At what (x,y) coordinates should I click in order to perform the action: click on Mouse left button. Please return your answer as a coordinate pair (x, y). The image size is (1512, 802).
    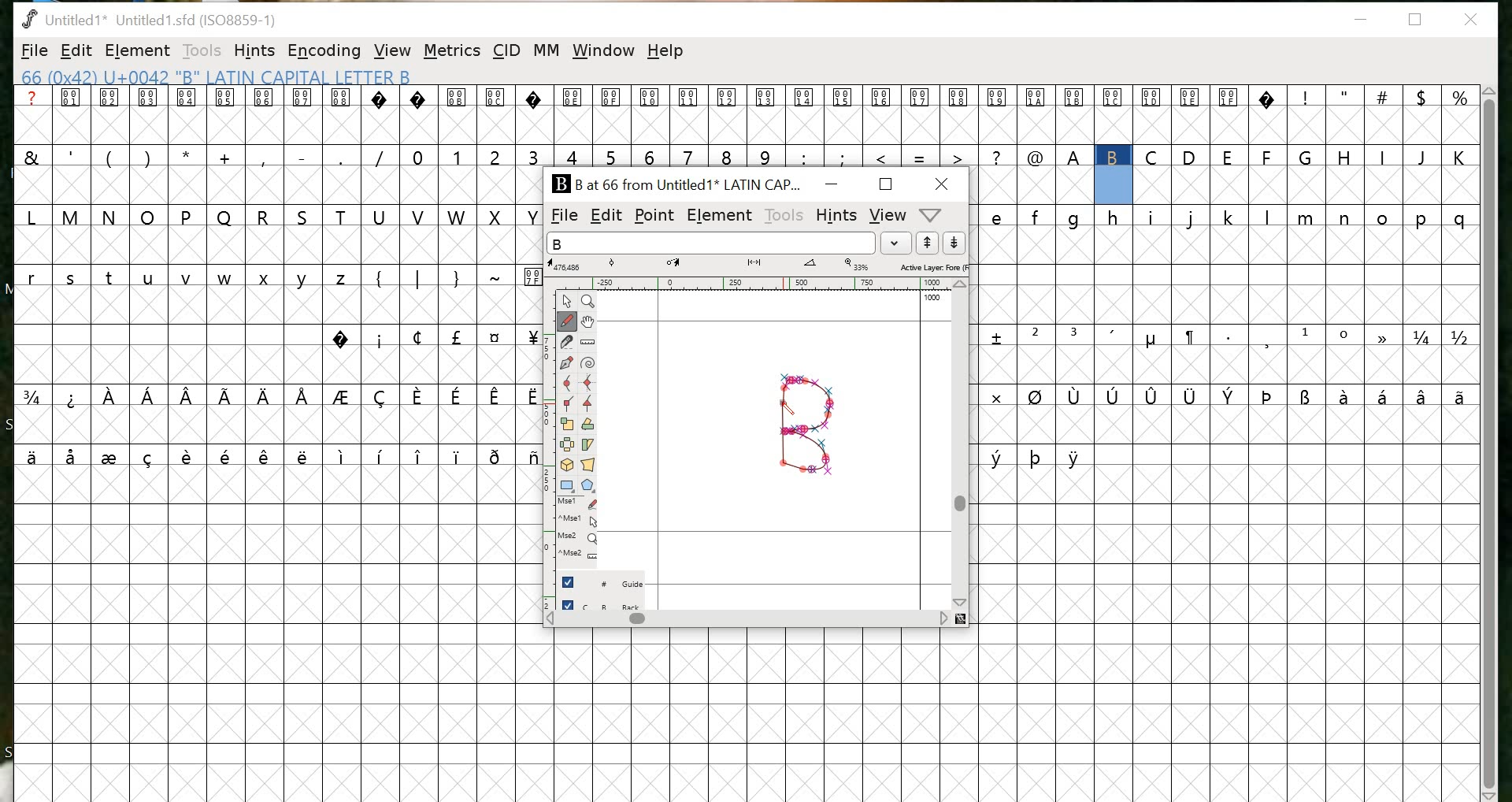
    Looking at the image, I should click on (580, 504).